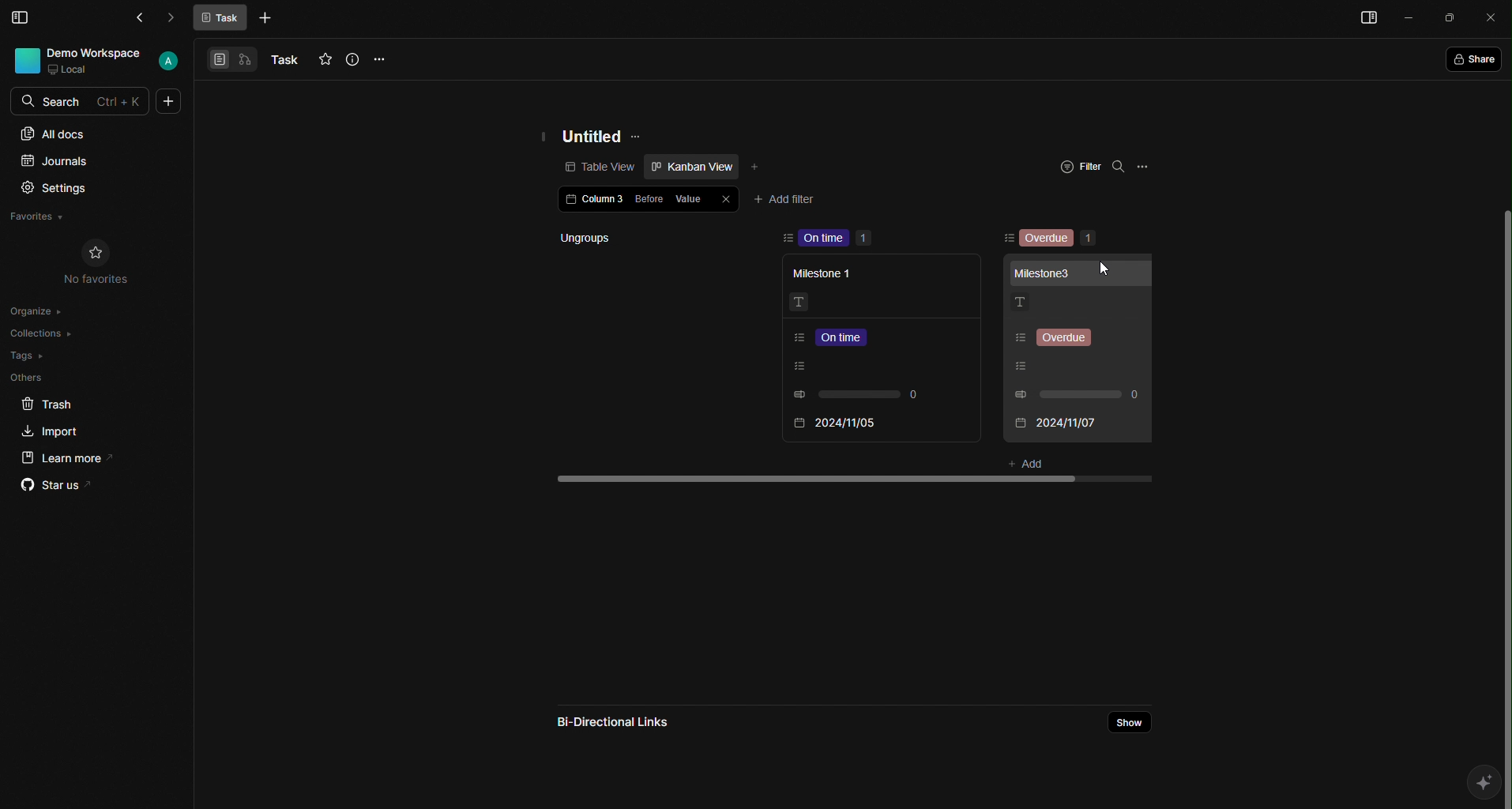  What do you see at coordinates (851, 366) in the screenshot?
I see `Listing` at bounding box center [851, 366].